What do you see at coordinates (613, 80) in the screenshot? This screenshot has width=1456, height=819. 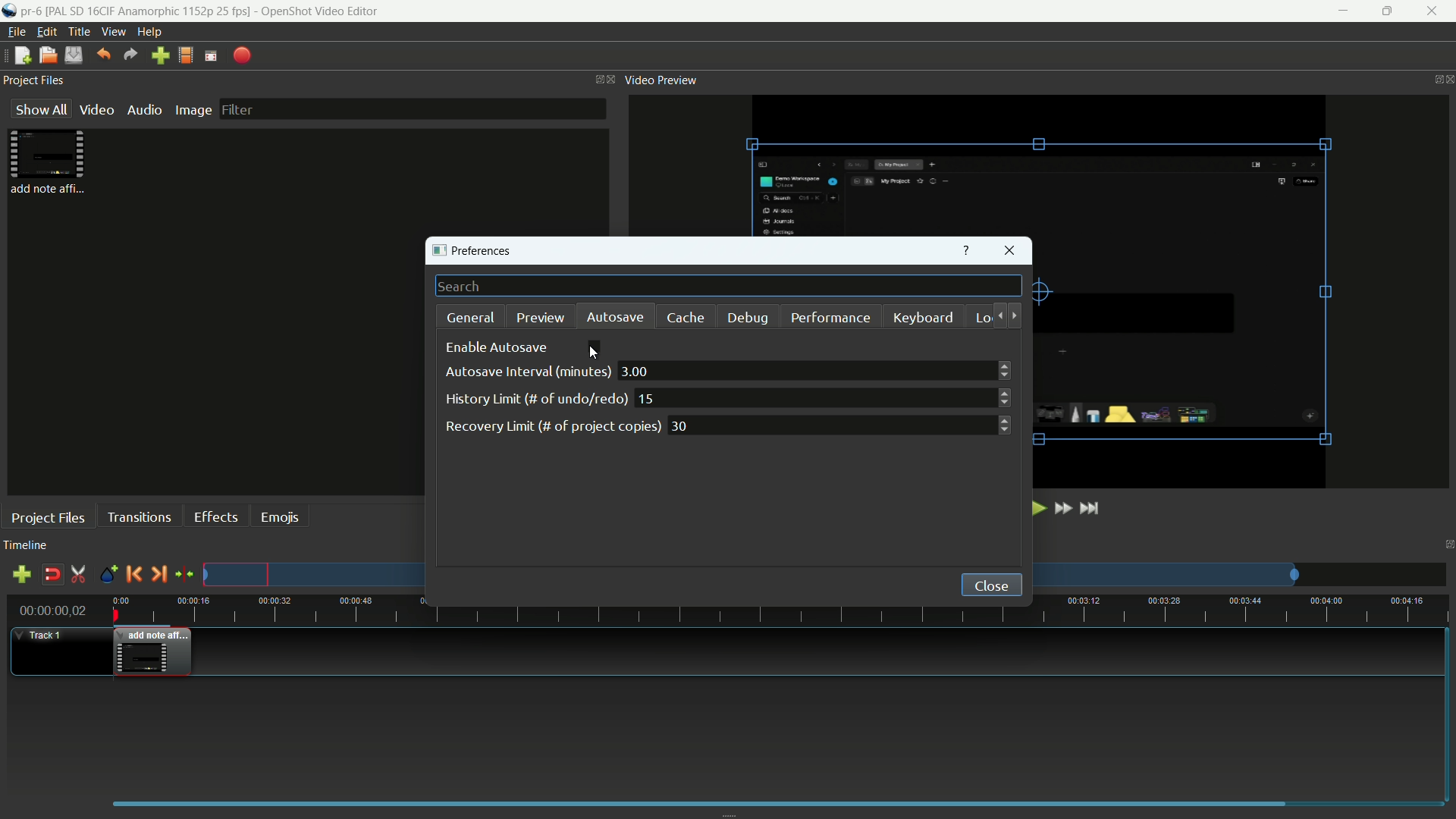 I see `close project files` at bounding box center [613, 80].